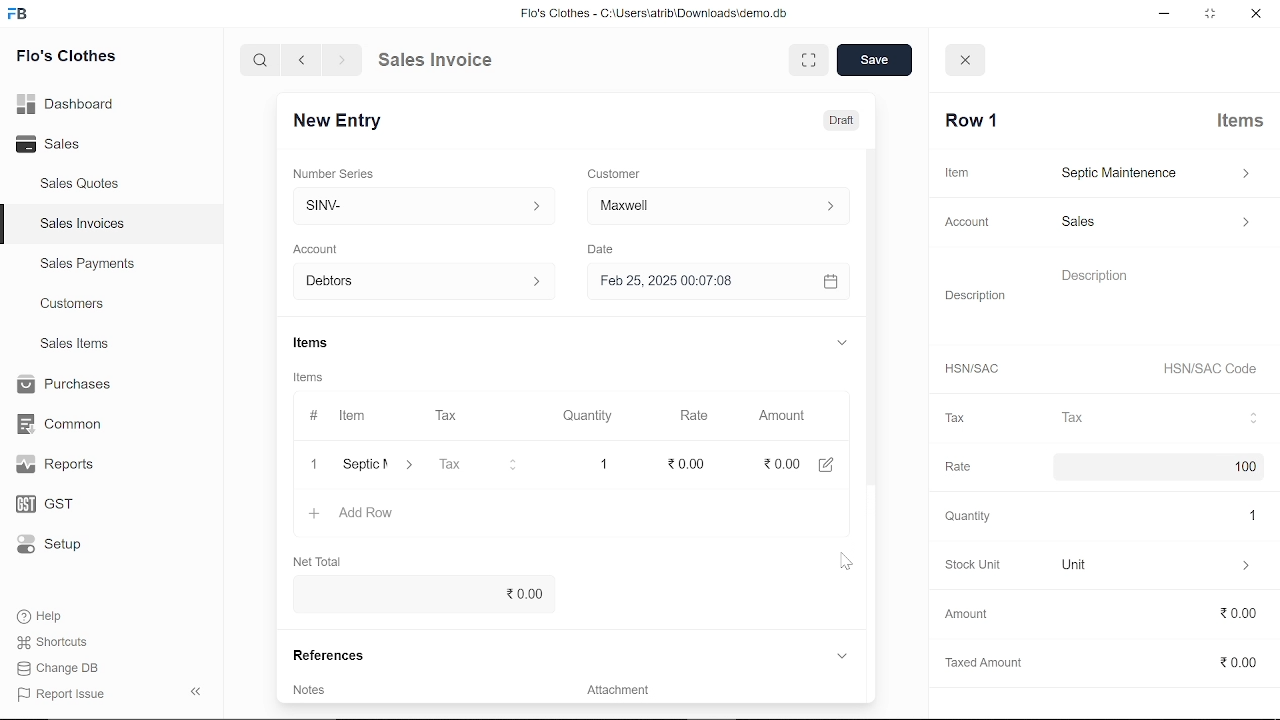 The height and width of the screenshot is (720, 1280). I want to click on ‘Amount., so click(966, 614).